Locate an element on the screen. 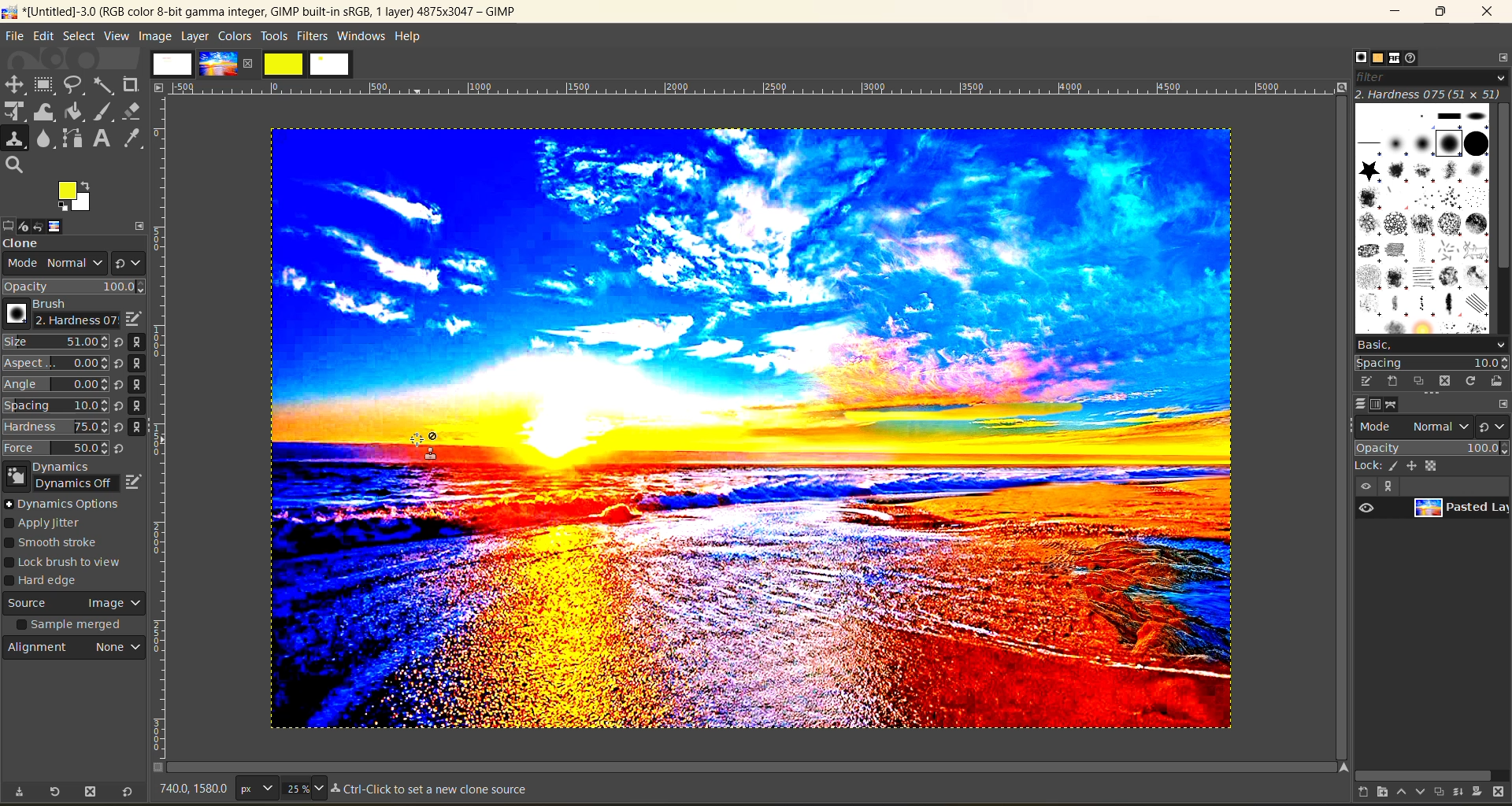 Image resolution: width=1512 pixels, height=806 pixels. tools is located at coordinates (274, 36).